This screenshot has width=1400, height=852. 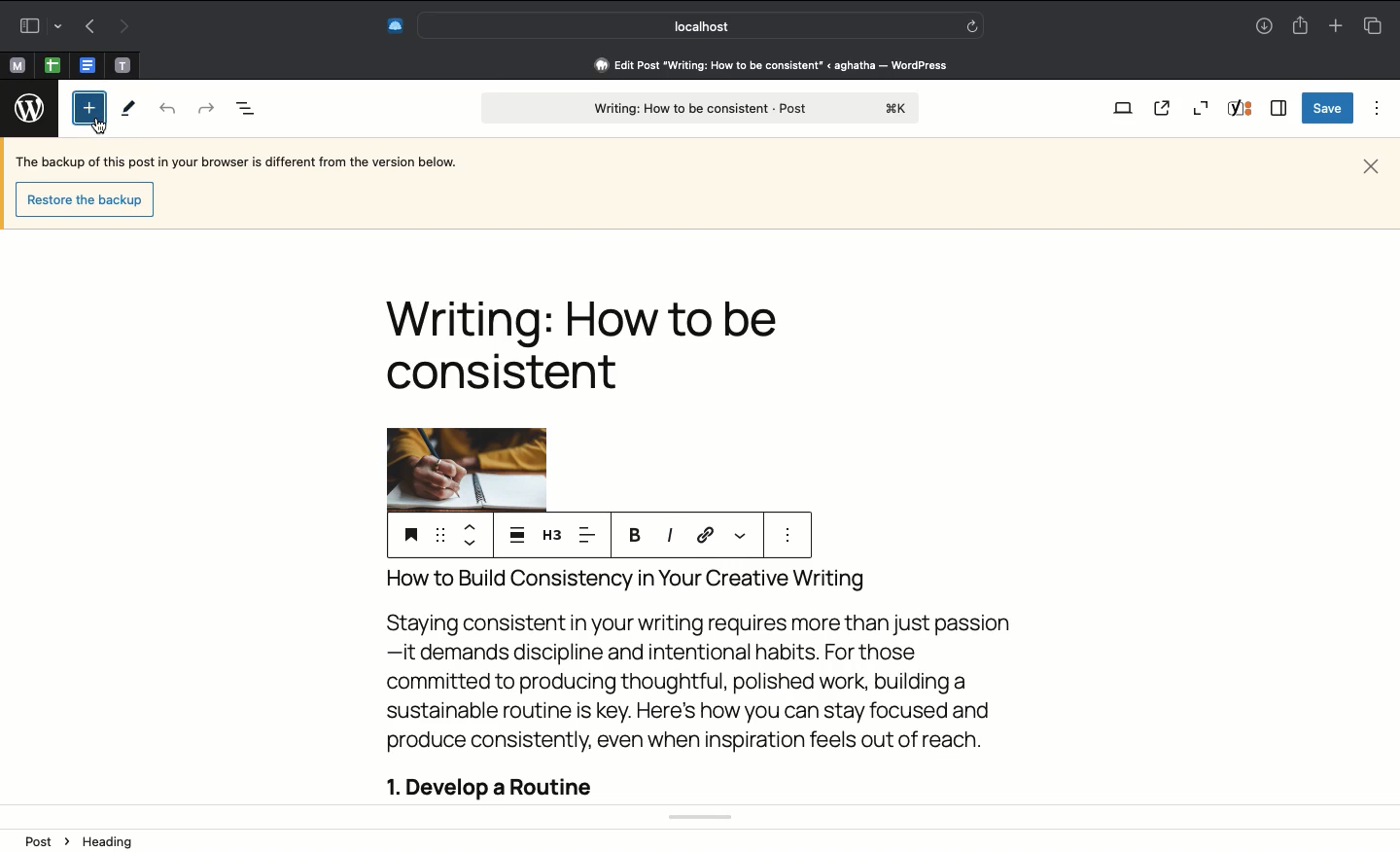 I want to click on Options, so click(x=1379, y=109).